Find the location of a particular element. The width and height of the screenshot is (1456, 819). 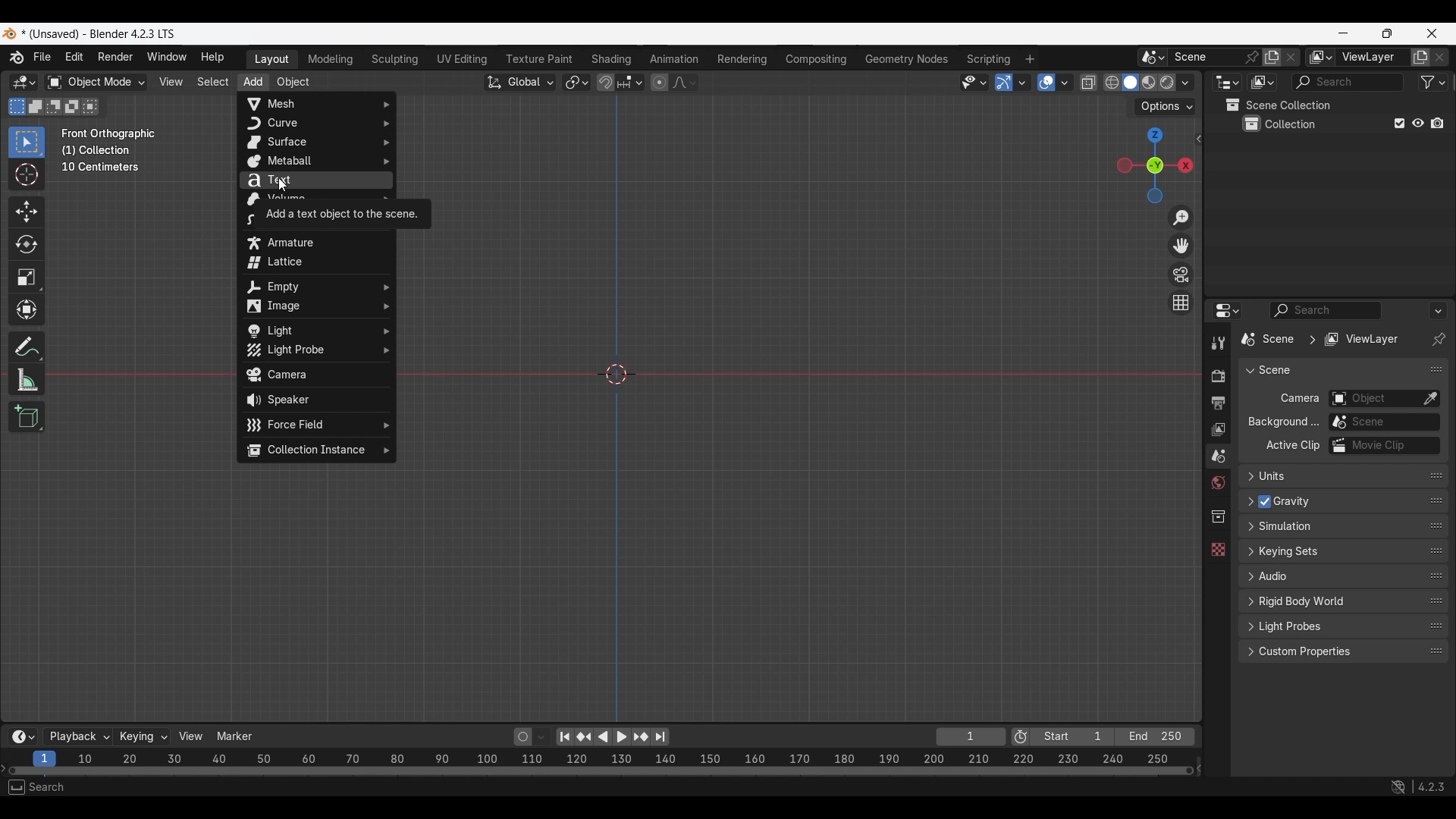

Cursor at the center point of the frame is located at coordinates (617, 373).